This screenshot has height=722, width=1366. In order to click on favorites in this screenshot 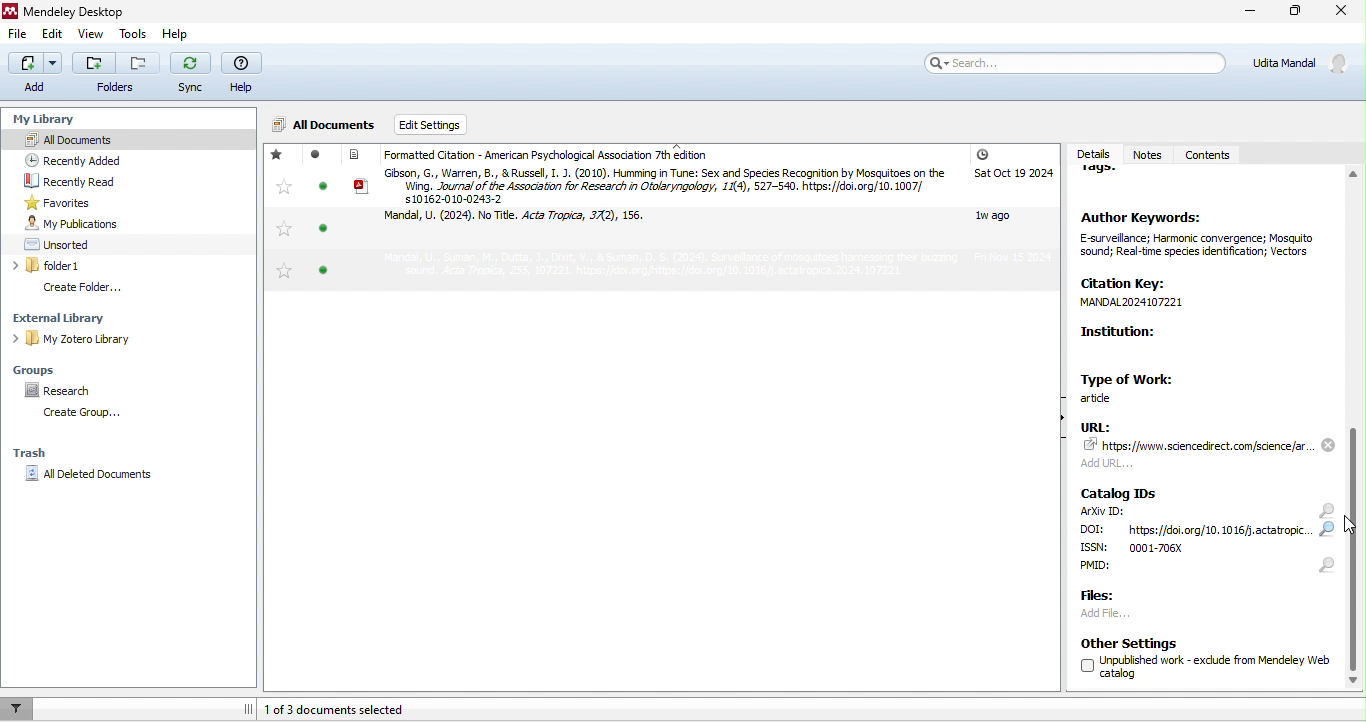, I will do `click(59, 202)`.